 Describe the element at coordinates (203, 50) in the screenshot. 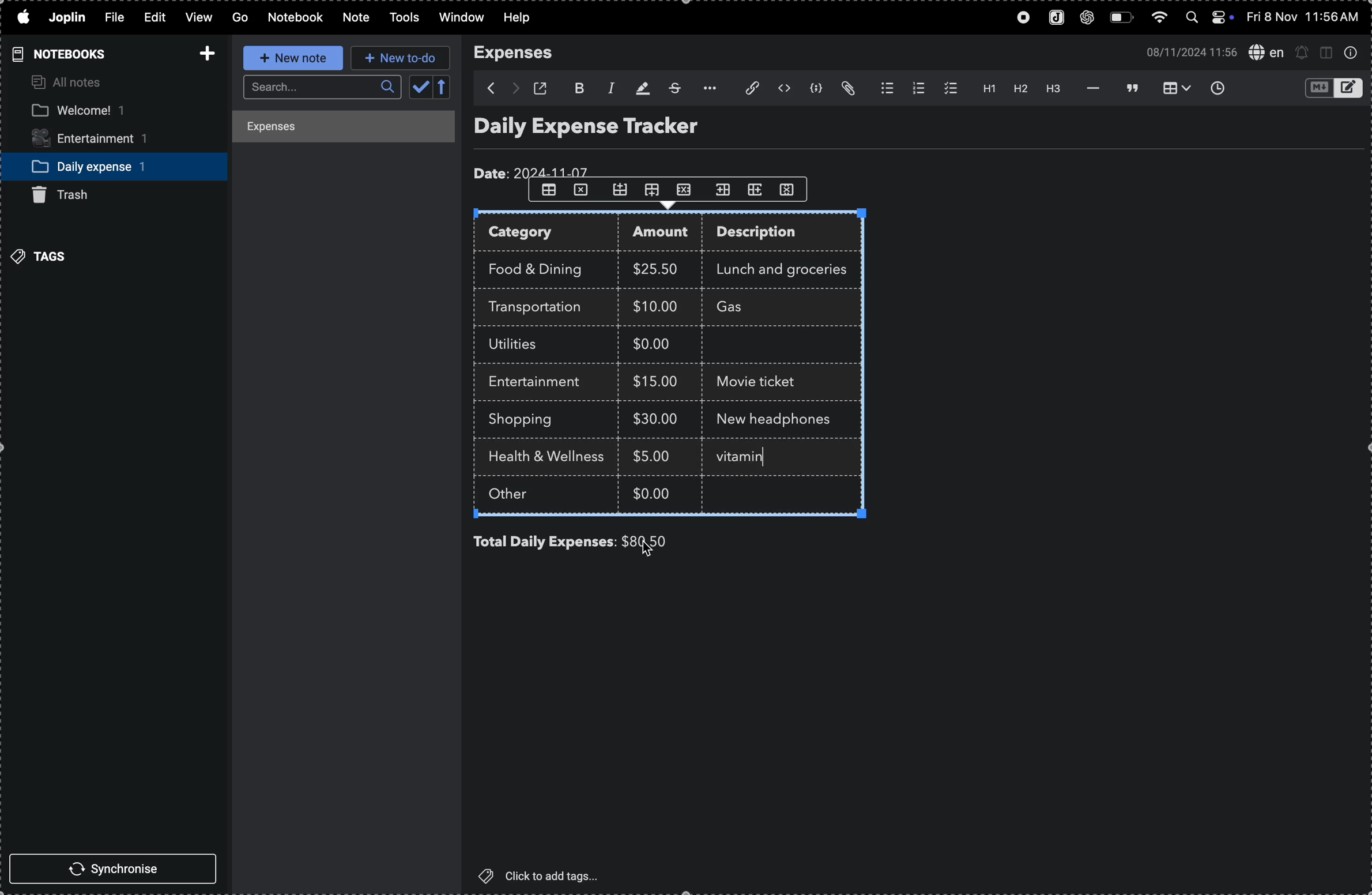

I see `add` at that location.